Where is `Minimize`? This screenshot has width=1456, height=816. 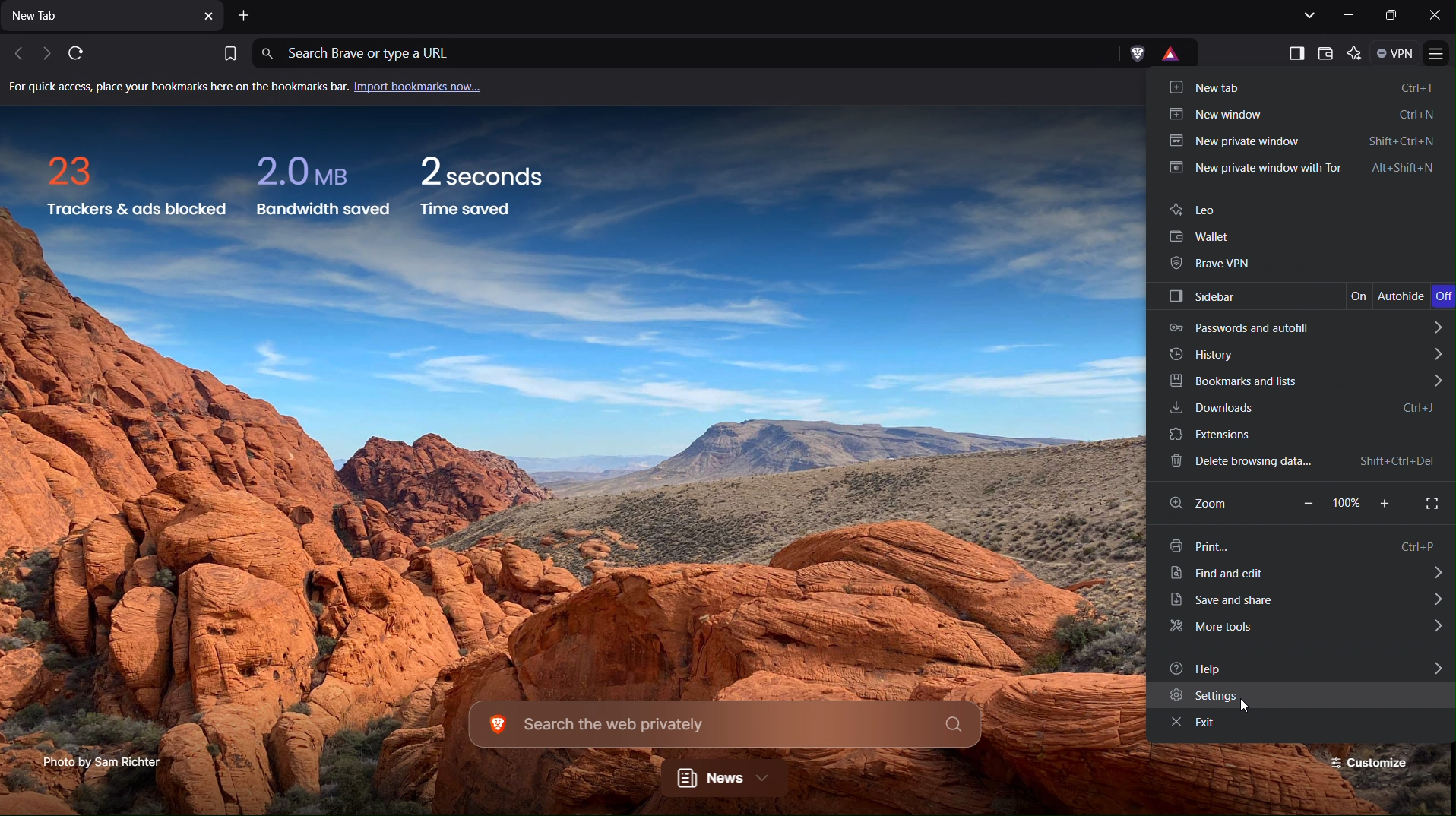 Minimize is located at coordinates (1345, 15).